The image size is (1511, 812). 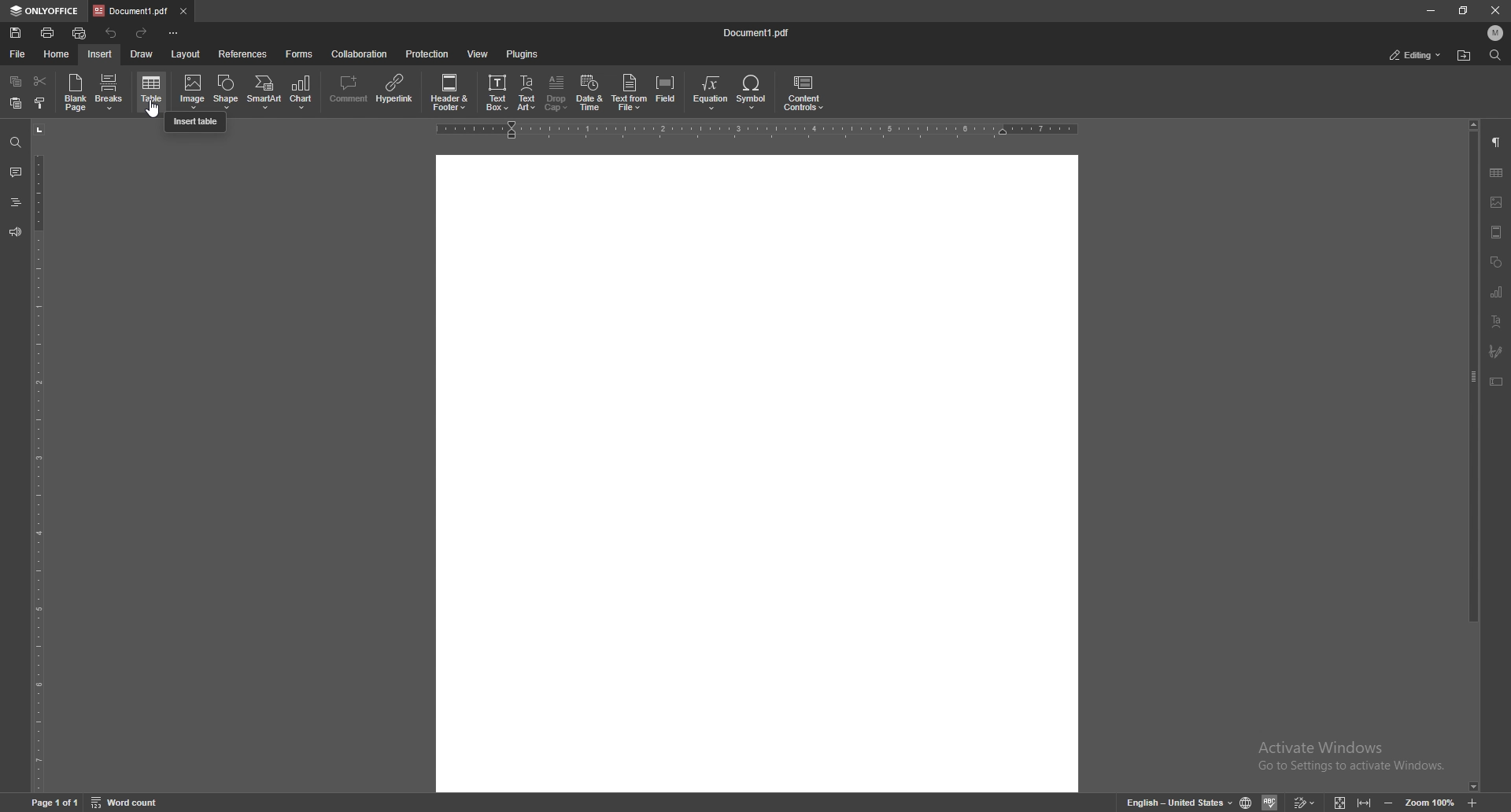 I want to click on smartart, so click(x=264, y=92).